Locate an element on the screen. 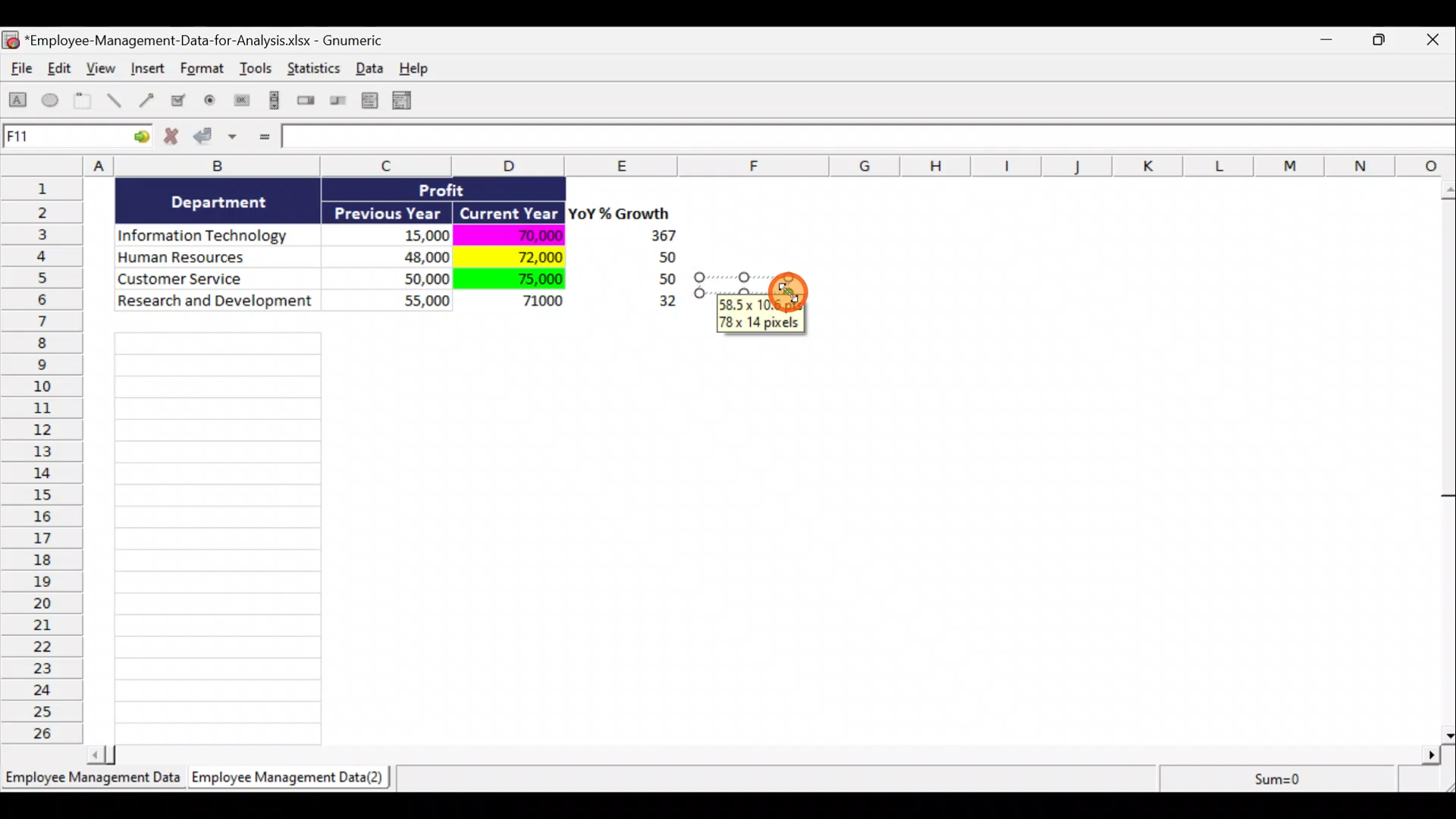 The height and width of the screenshot is (819, 1456). resize handle is located at coordinates (752, 284).